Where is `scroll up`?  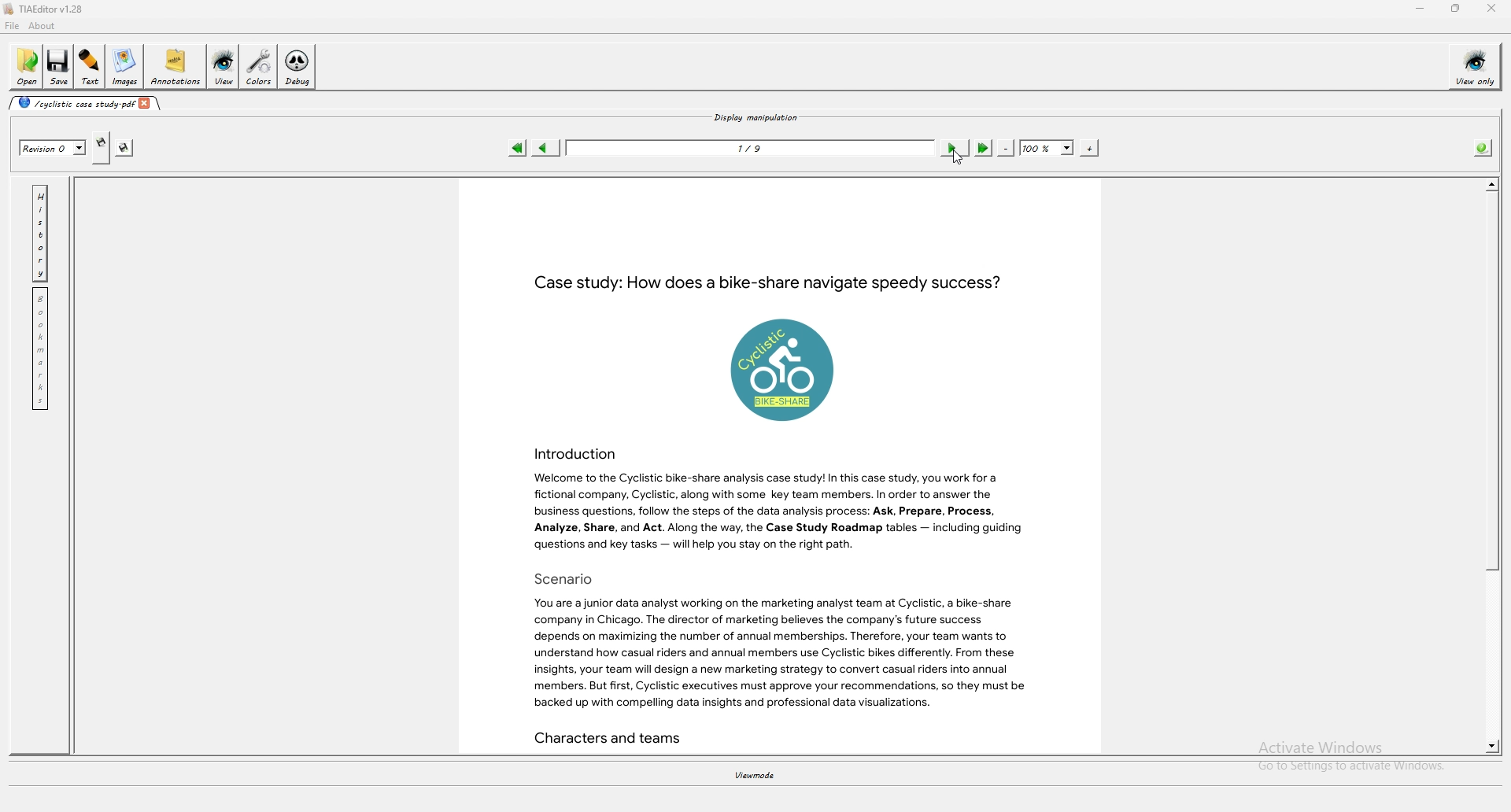
scroll up is located at coordinates (1491, 184).